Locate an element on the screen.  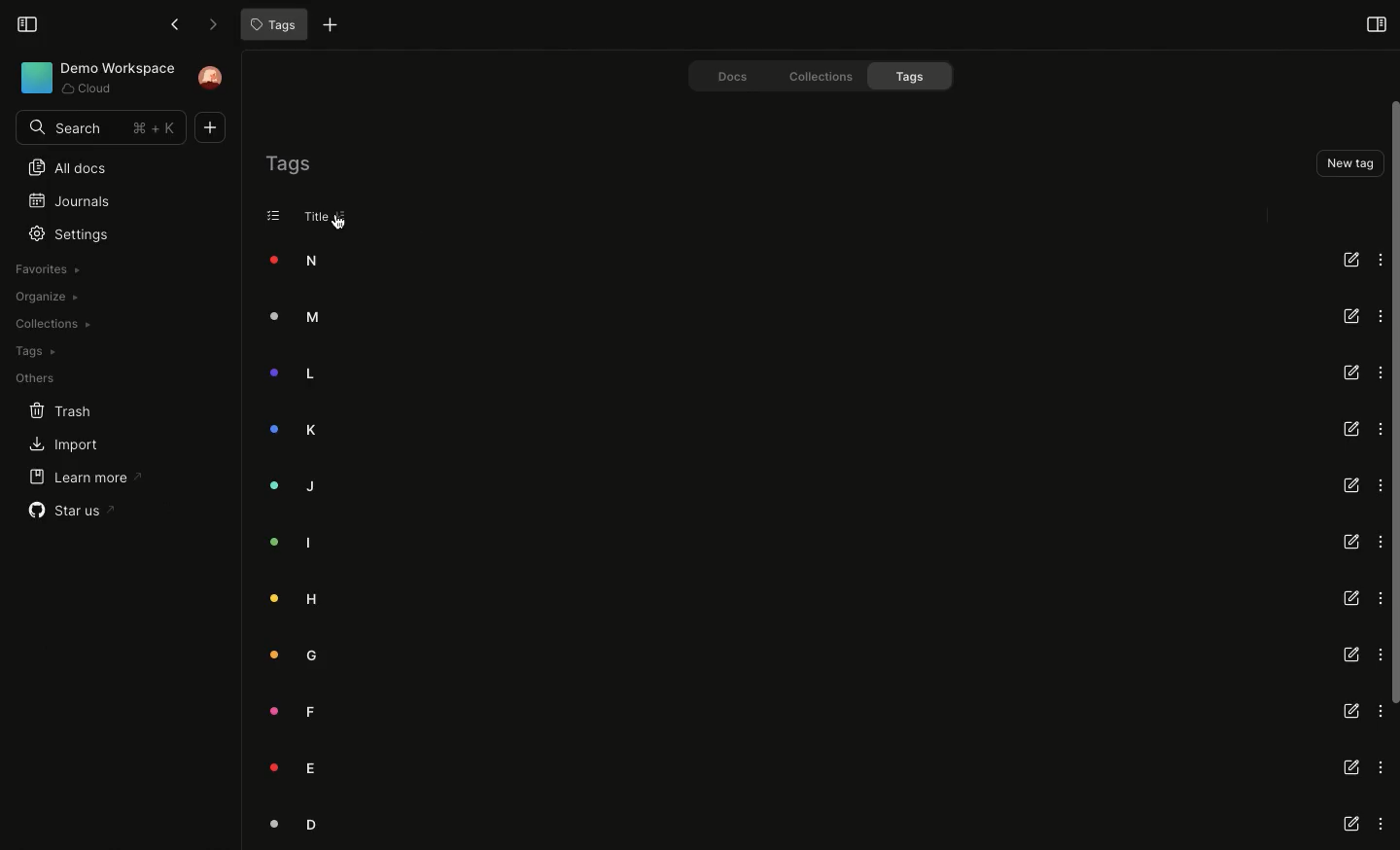
cursor on title is located at coordinates (340, 222).